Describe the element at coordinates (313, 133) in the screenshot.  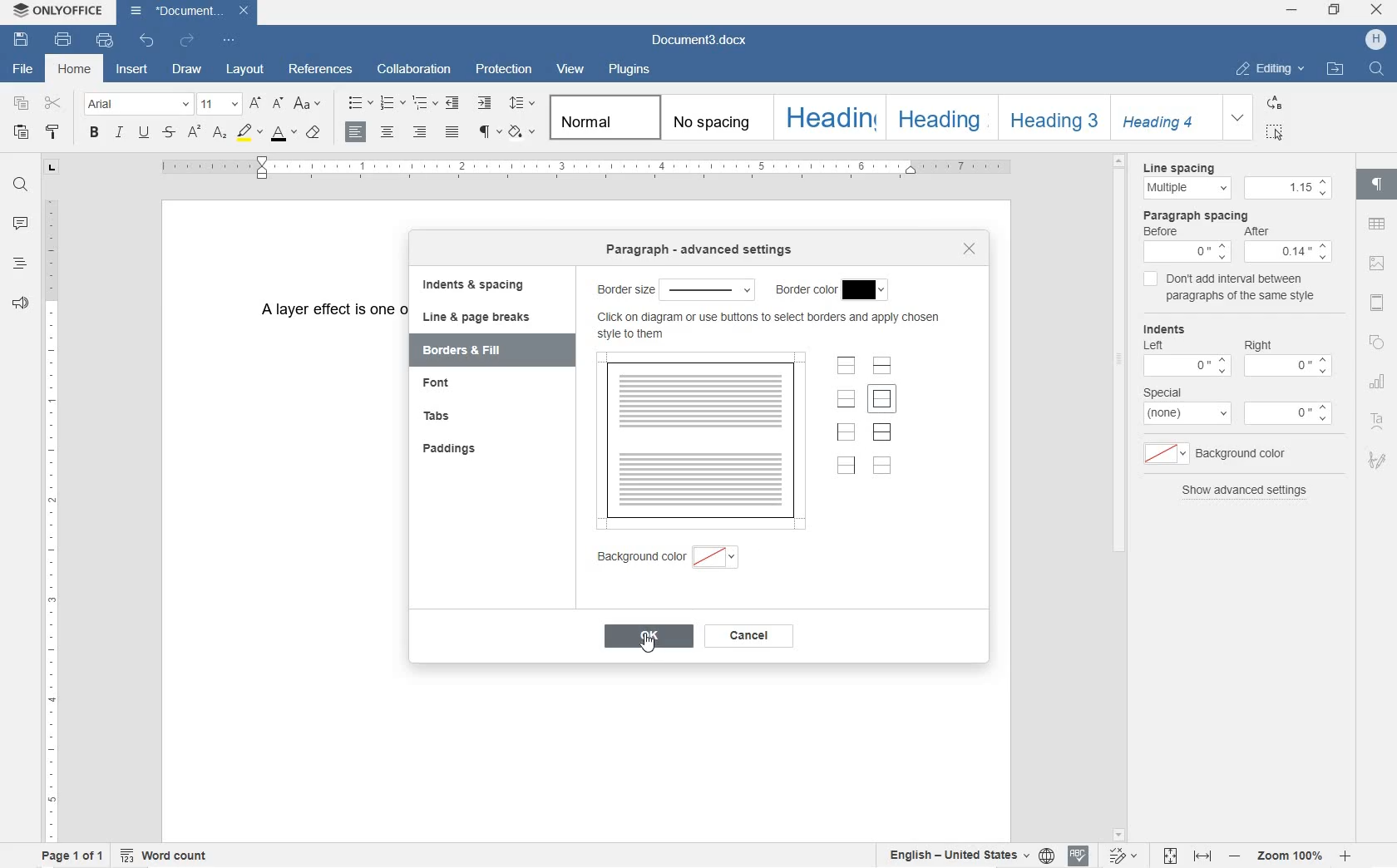
I see `CLEAR STYLE` at that location.